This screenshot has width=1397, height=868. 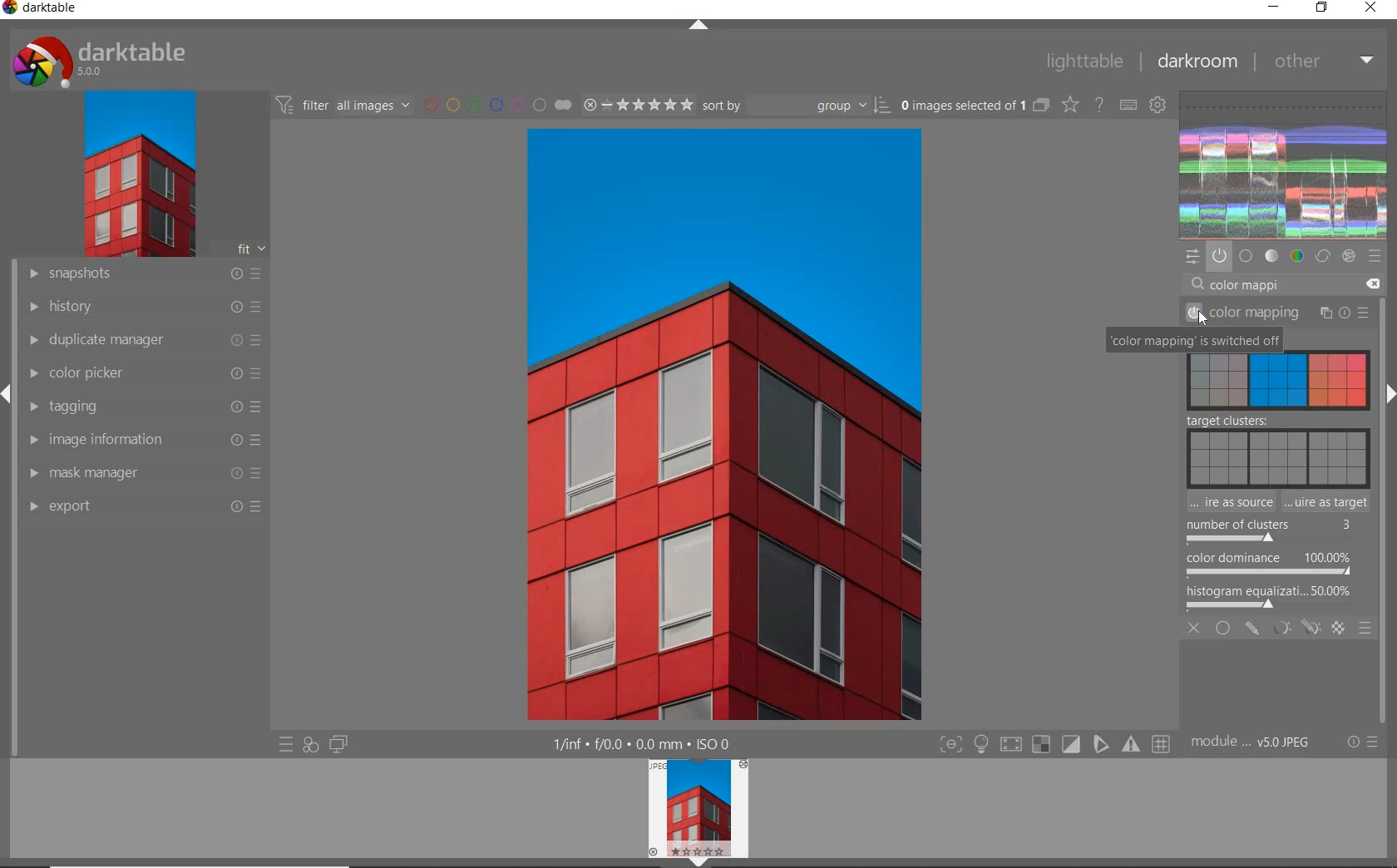 I want to click on ANALYZE THIS IMAGE AS A SOURCE IMAGE, so click(x=1229, y=502).